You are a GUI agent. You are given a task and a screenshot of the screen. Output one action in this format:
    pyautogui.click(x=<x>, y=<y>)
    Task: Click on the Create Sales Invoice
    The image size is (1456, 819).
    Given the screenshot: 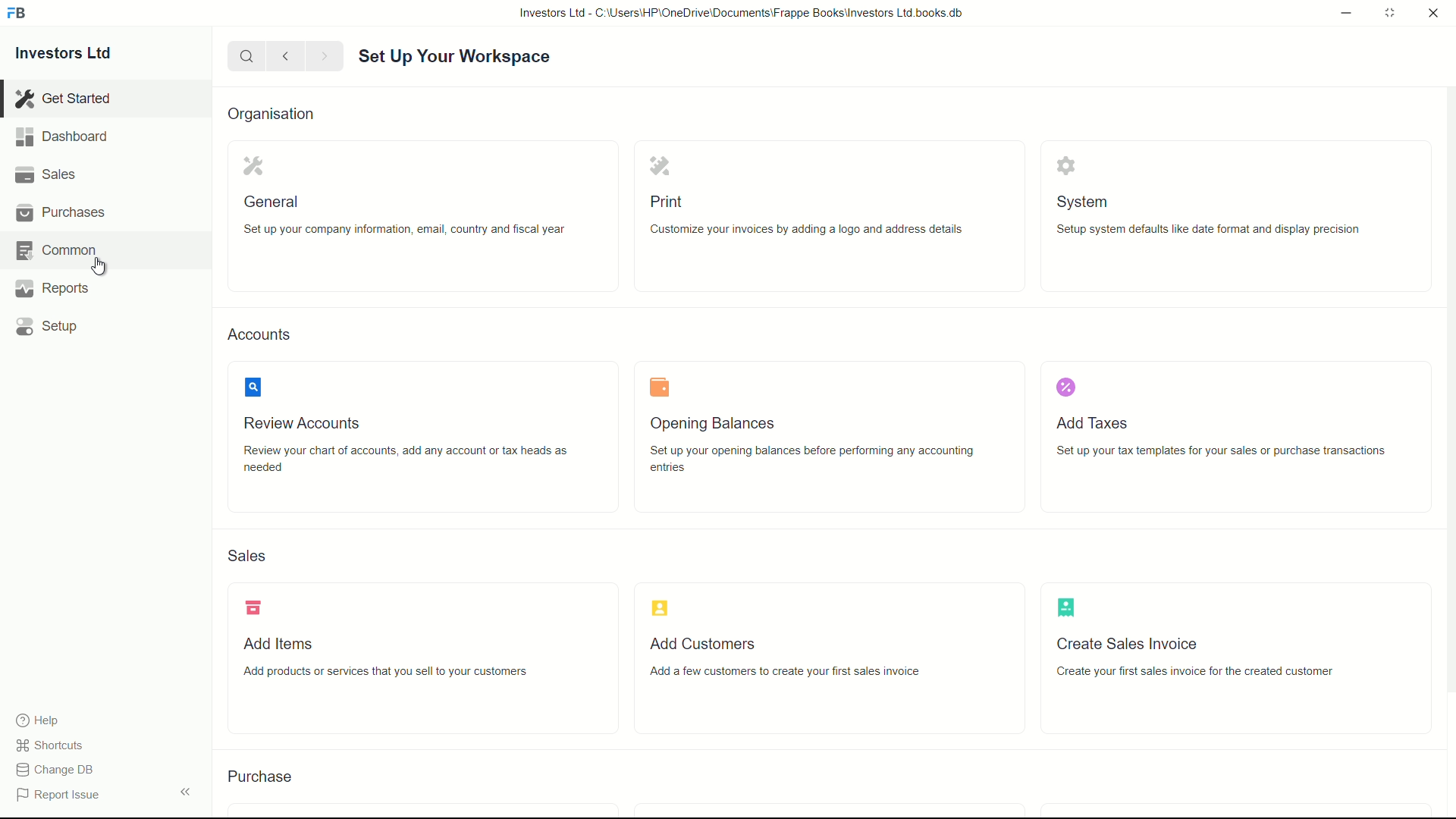 What is the action you would take?
    pyautogui.click(x=1132, y=642)
    